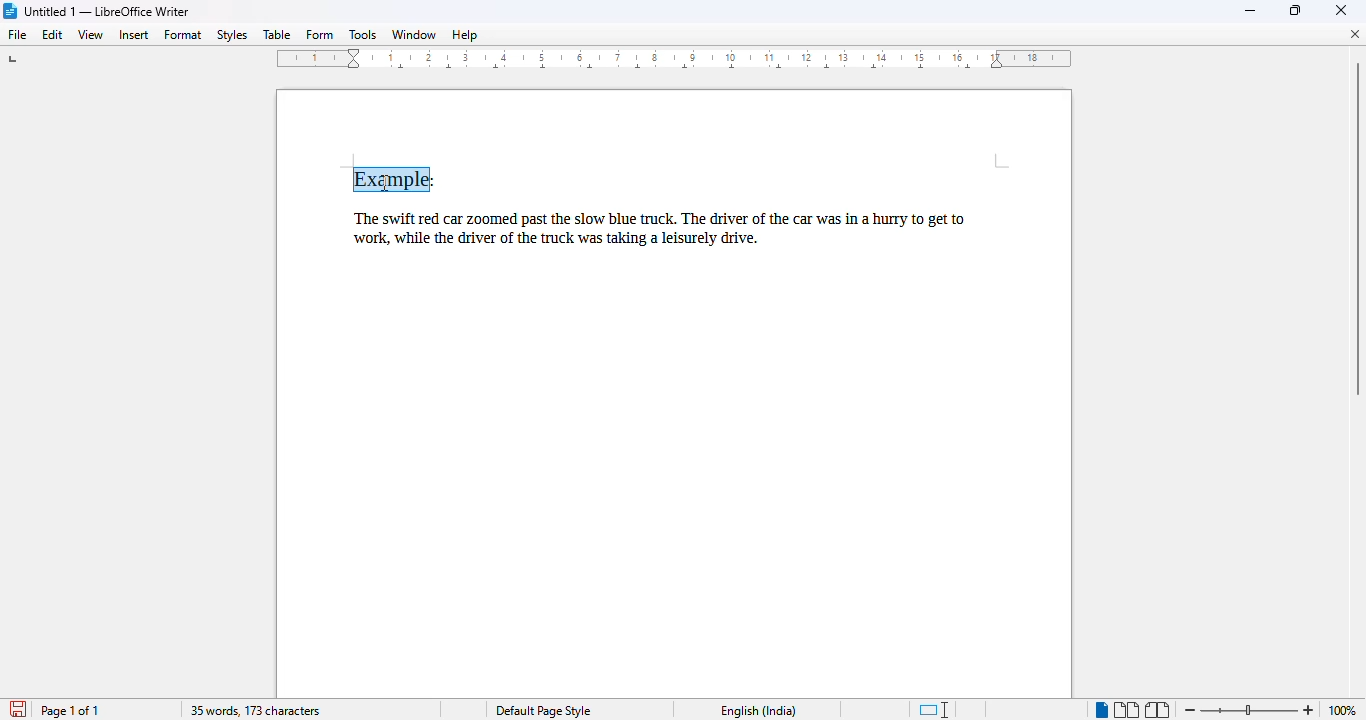 The image size is (1366, 720). What do you see at coordinates (1251, 11) in the screenshot?
I see `minimize` at bounding box center [1251, 11].